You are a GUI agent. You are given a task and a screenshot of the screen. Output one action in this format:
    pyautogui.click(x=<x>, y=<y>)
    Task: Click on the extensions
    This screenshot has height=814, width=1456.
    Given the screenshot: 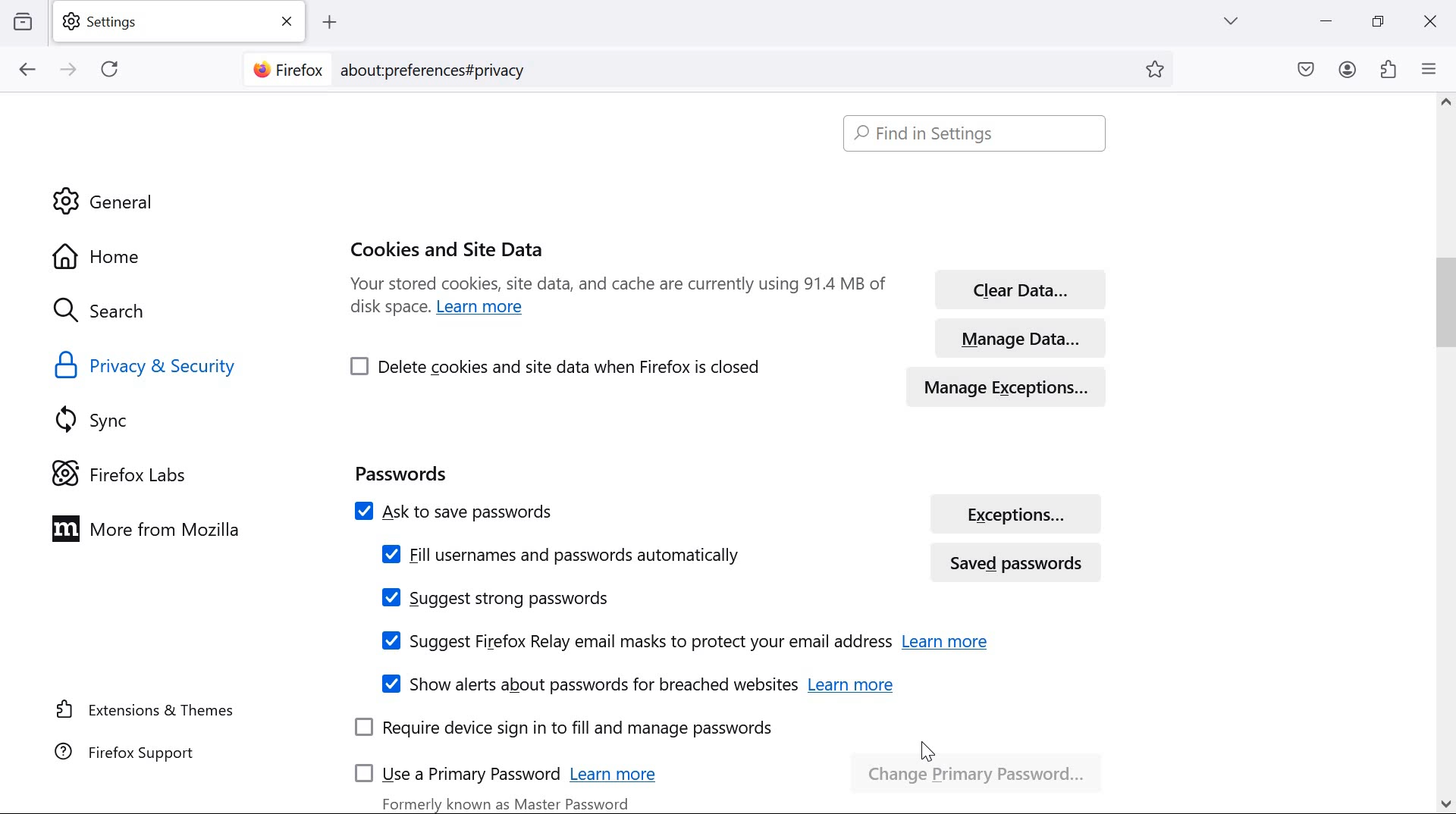 What is the action you would take?
    pyautogui.click(x=1389, y=68)
    